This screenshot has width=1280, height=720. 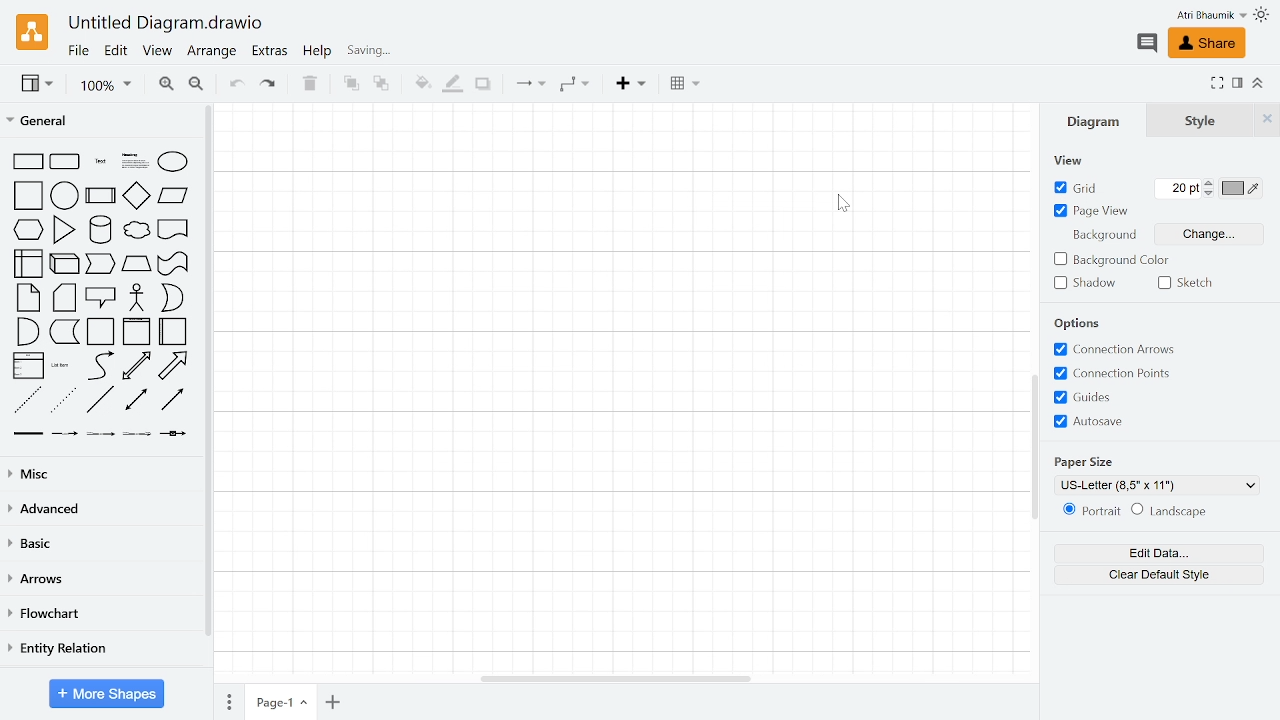 What do you see at coordinates (1086, 285) in the screenshot?
I see `Shadow` at bounding box center [1086, 285].